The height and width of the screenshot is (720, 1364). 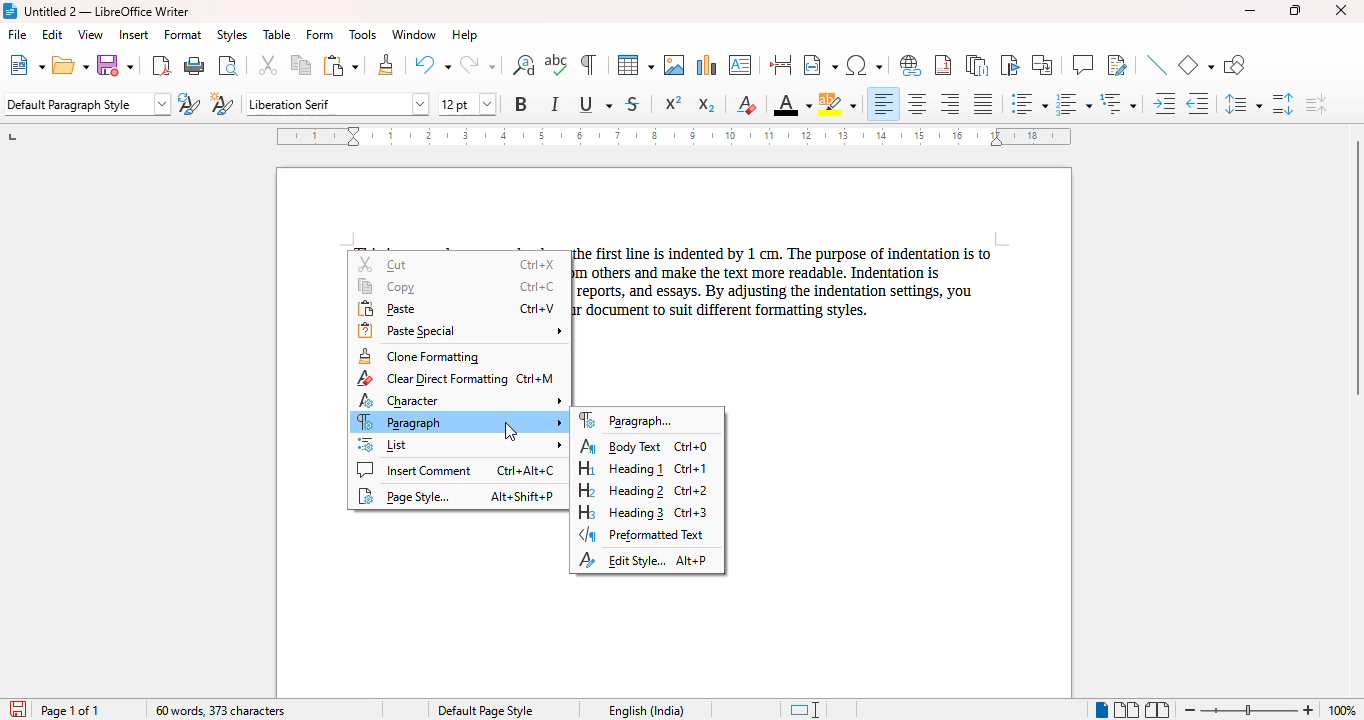 What do you see at coordinates (454, 379) in the screenshot?
I see `clear direct formatting` at bounding box center [454, 379].